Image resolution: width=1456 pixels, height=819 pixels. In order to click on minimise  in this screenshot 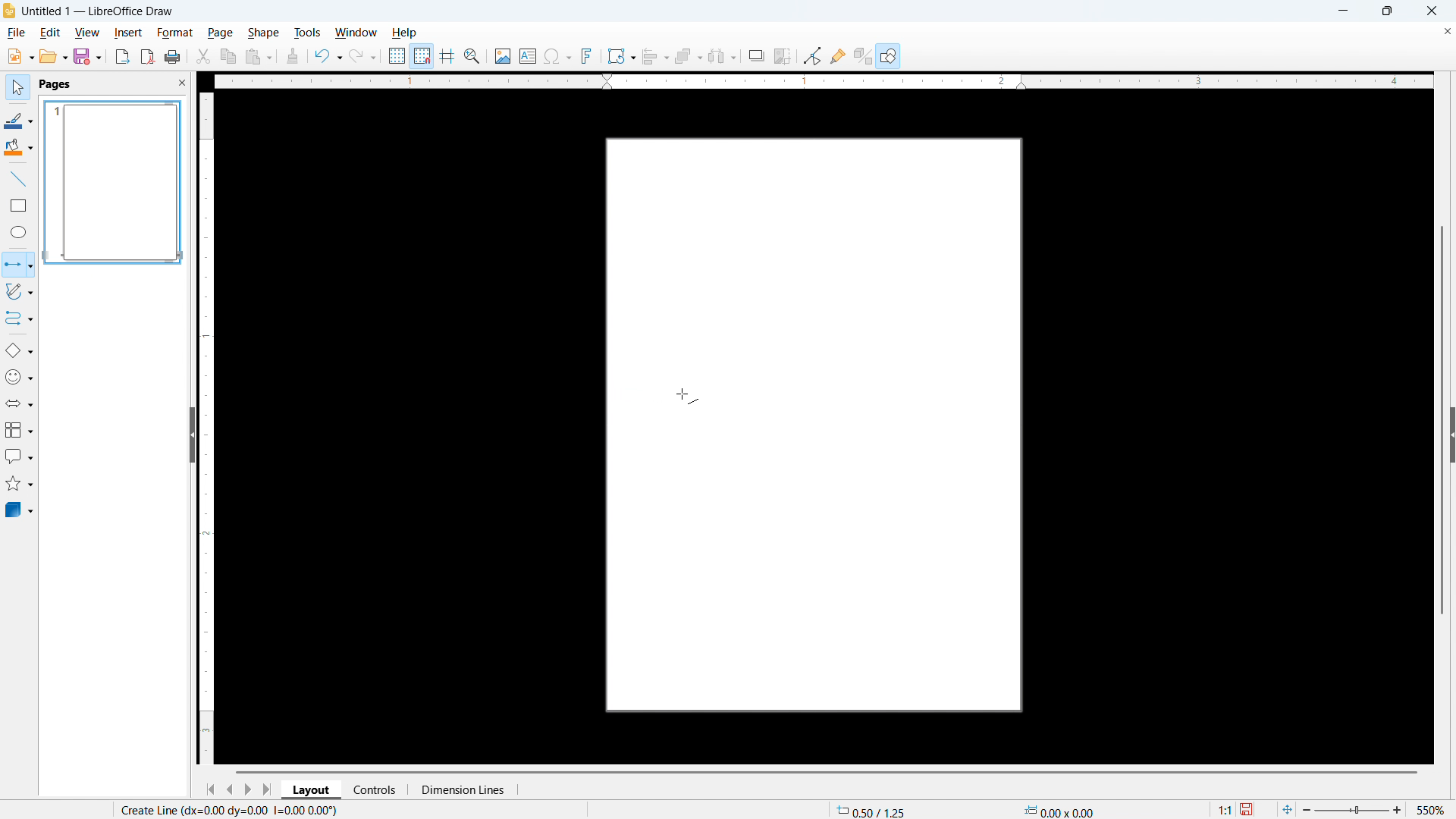, I will do `click(1342, 11)`.